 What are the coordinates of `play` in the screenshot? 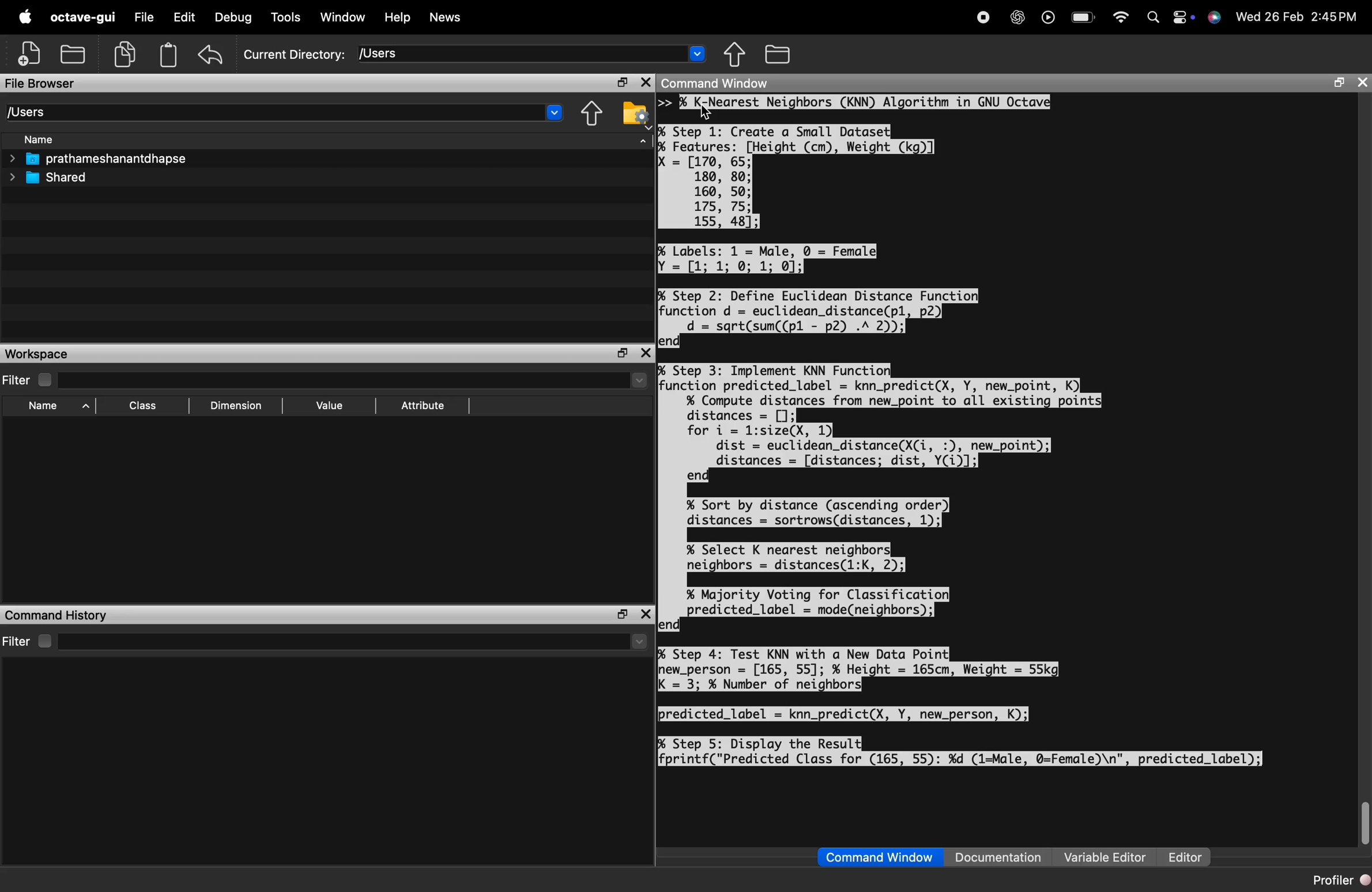 It's located at (1047, 16).